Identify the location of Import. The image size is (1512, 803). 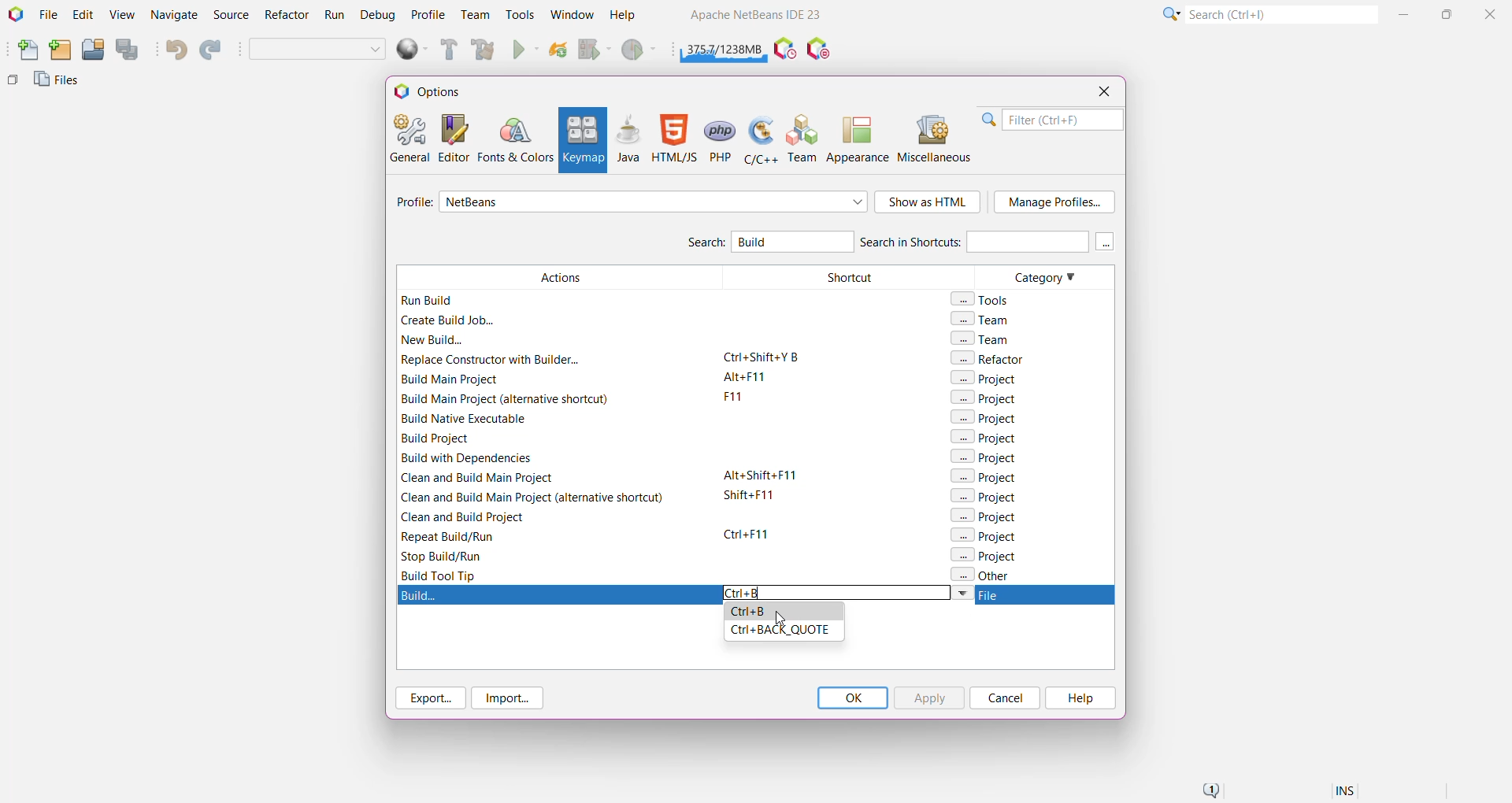
(510, 698).